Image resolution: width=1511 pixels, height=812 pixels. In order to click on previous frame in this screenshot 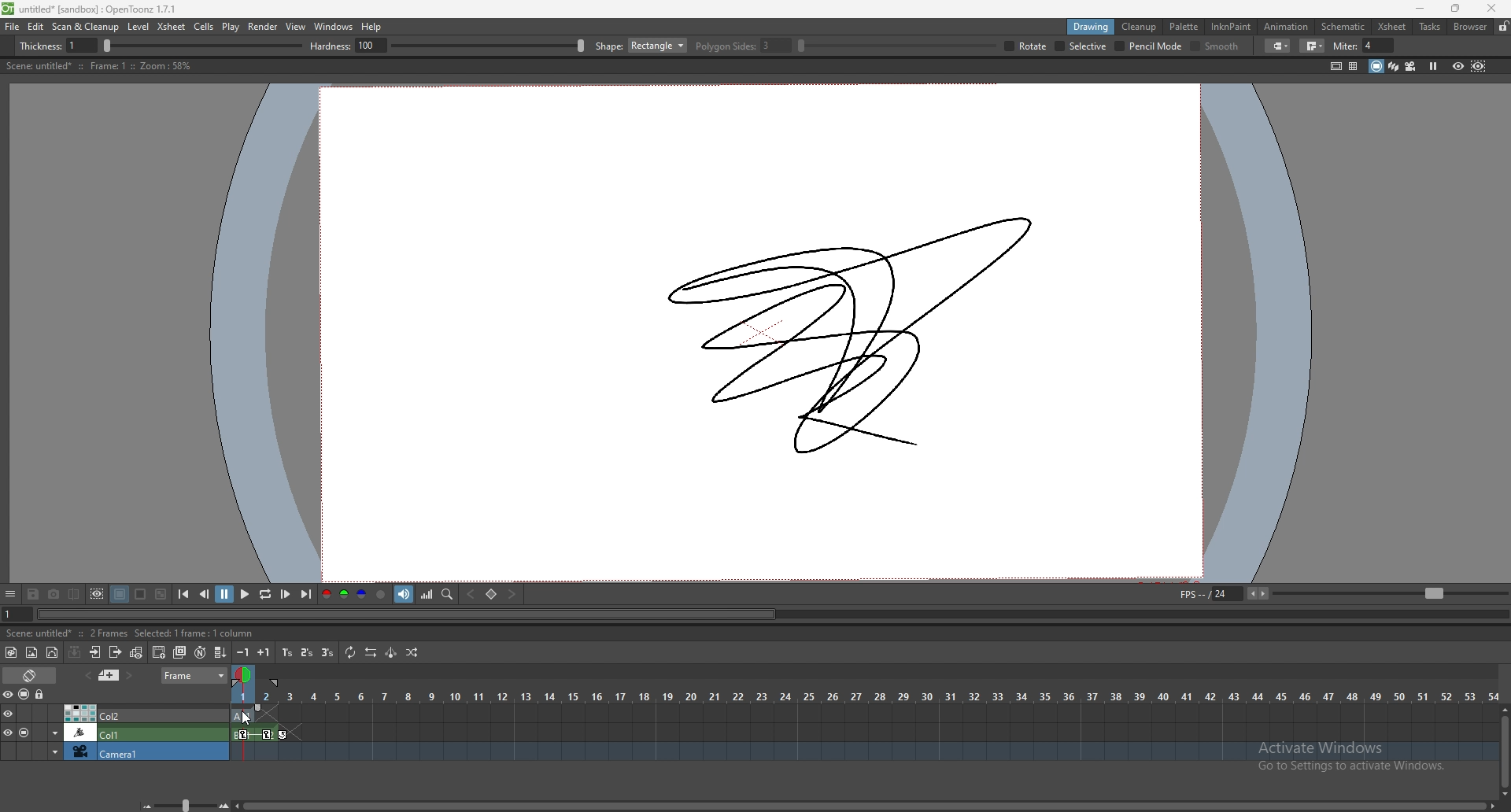, I will do `click(205, 593)`.